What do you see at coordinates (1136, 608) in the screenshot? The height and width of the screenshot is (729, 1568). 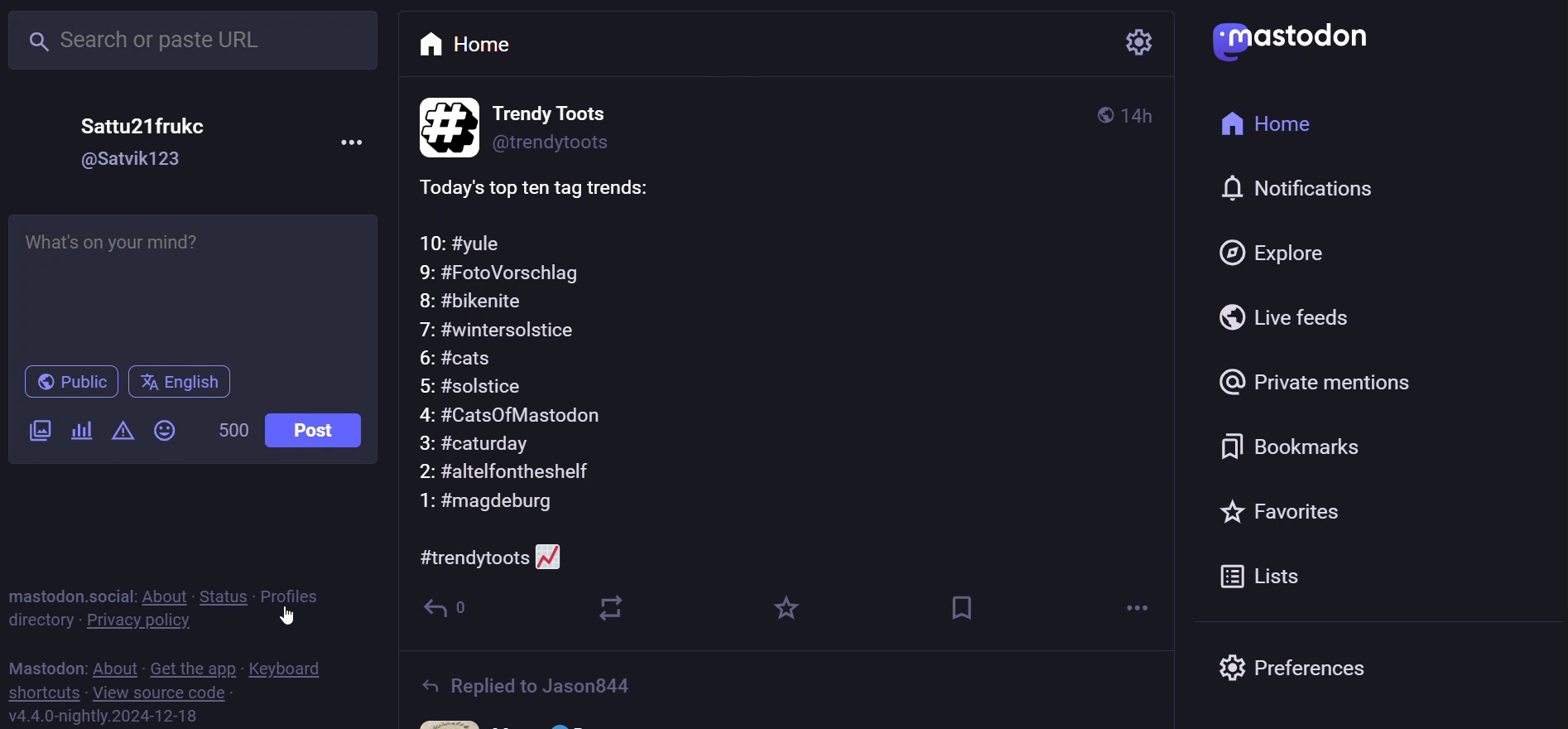 I see `more` at bounding box center [1136, 608].